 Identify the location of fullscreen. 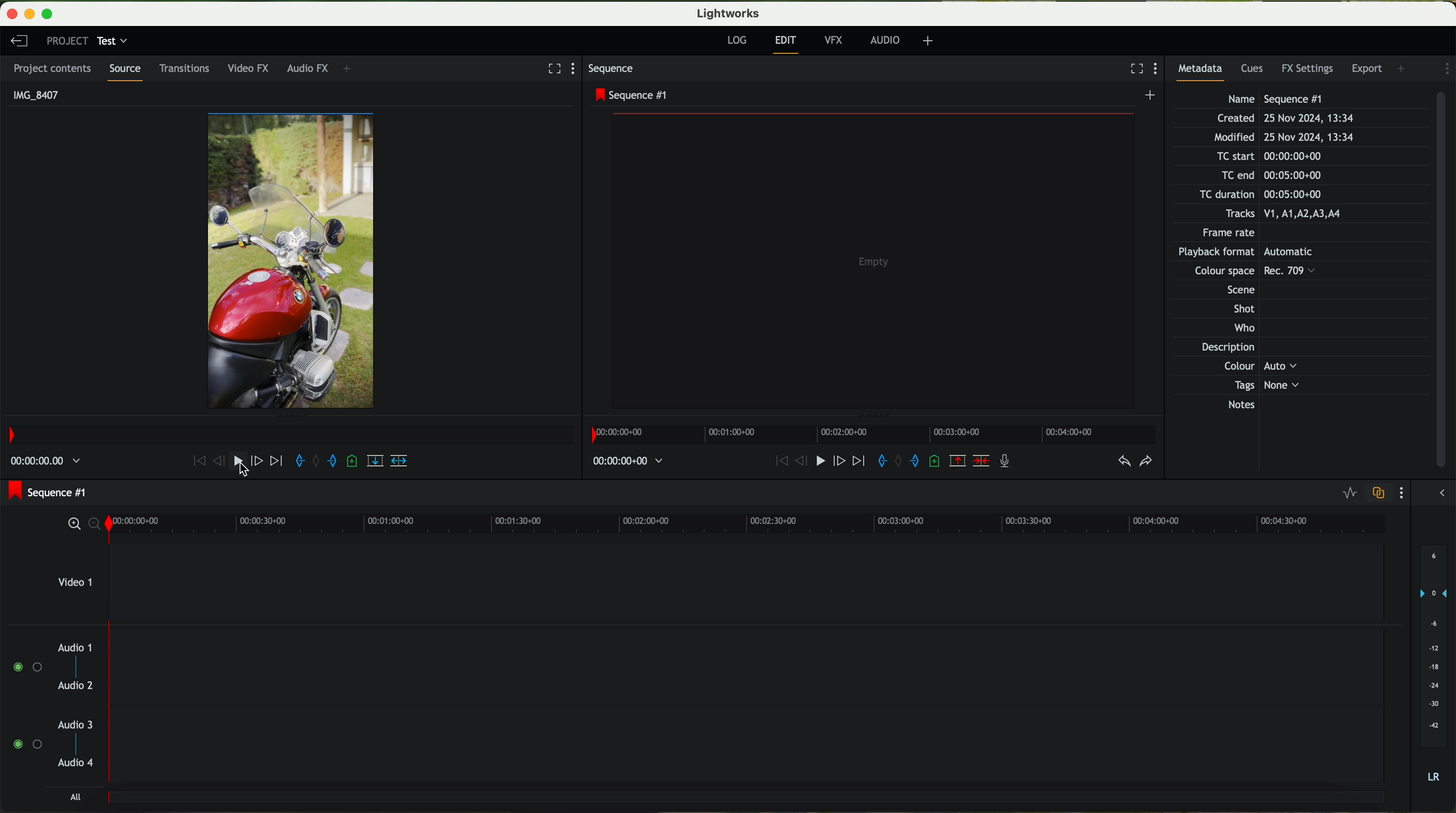
(552, 68).